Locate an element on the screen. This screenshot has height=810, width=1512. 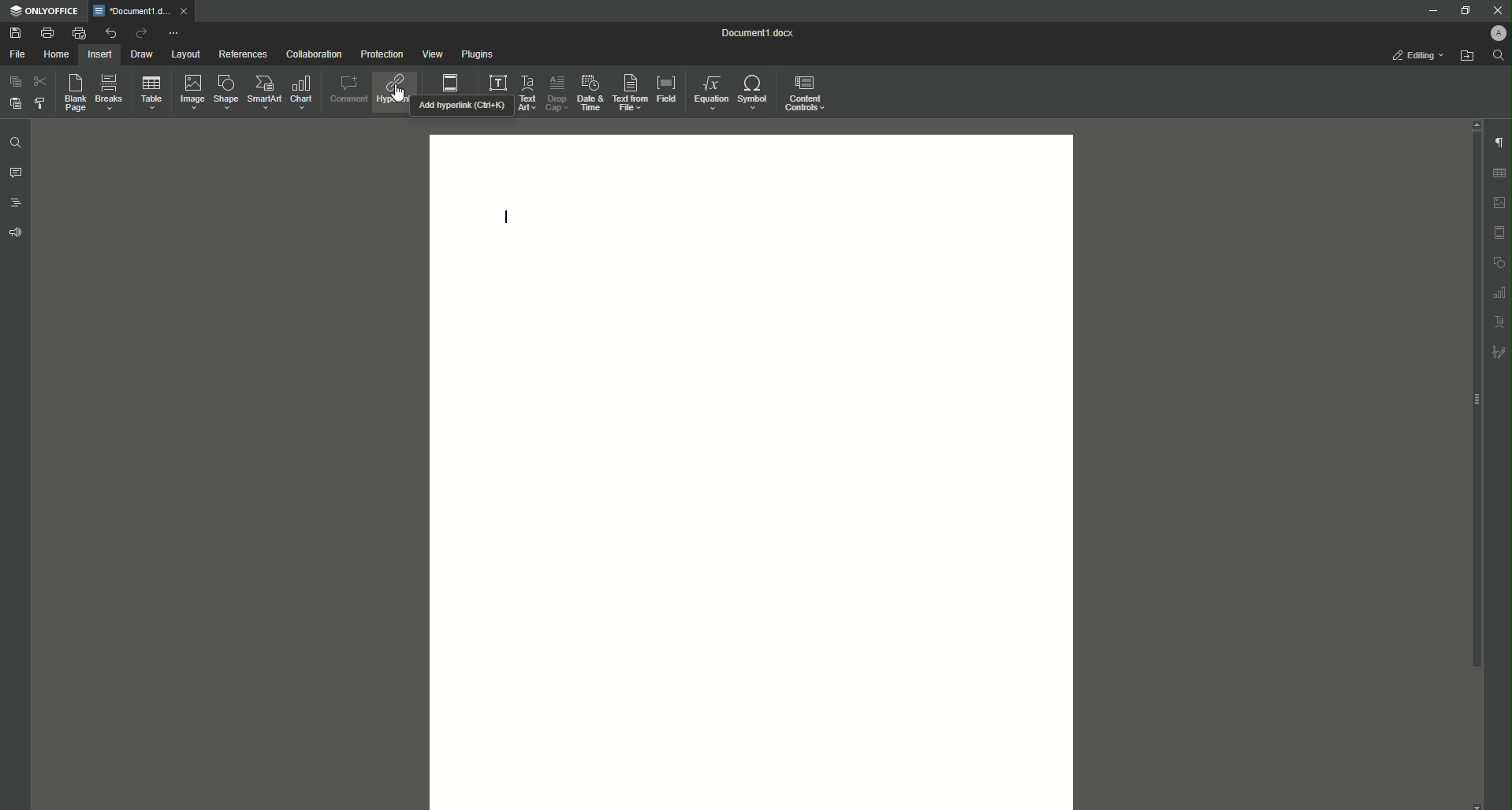
Paste is located at coordinates (16, 104).